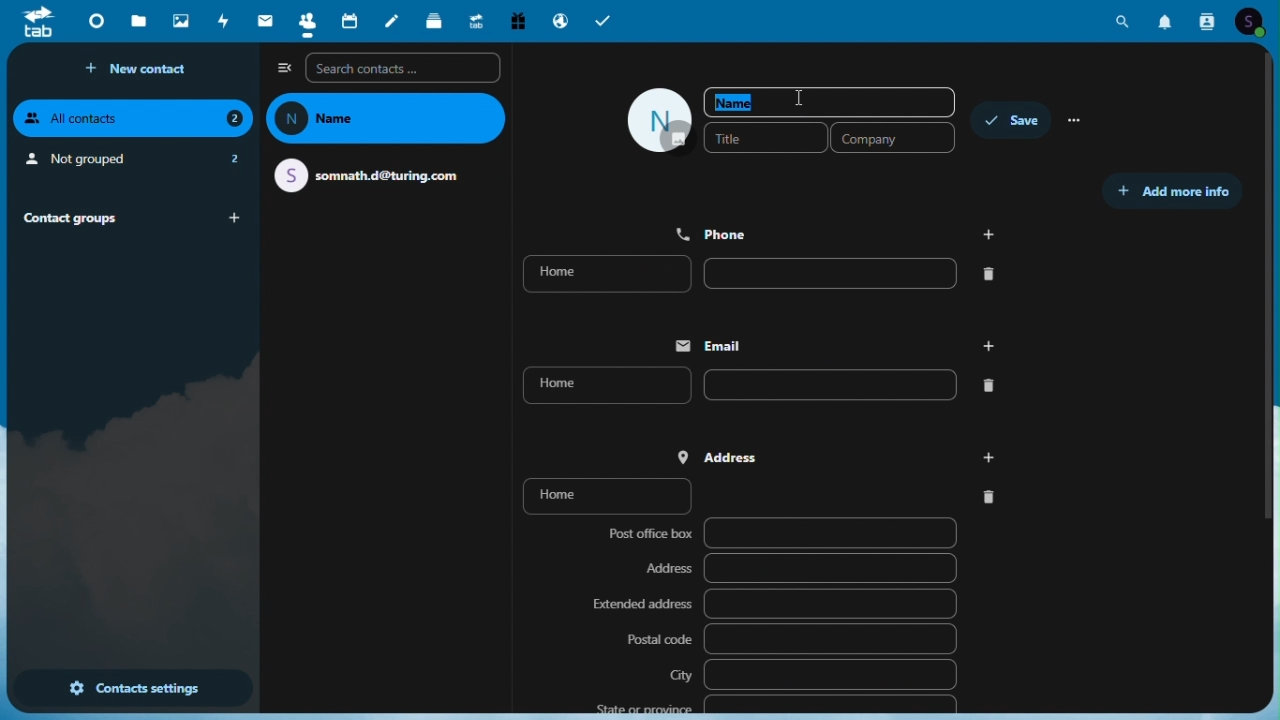 This screenshot has height=720, width=1280. Describe the element at coordinates (769, 274) in the screenshot. I see `home` at that location.